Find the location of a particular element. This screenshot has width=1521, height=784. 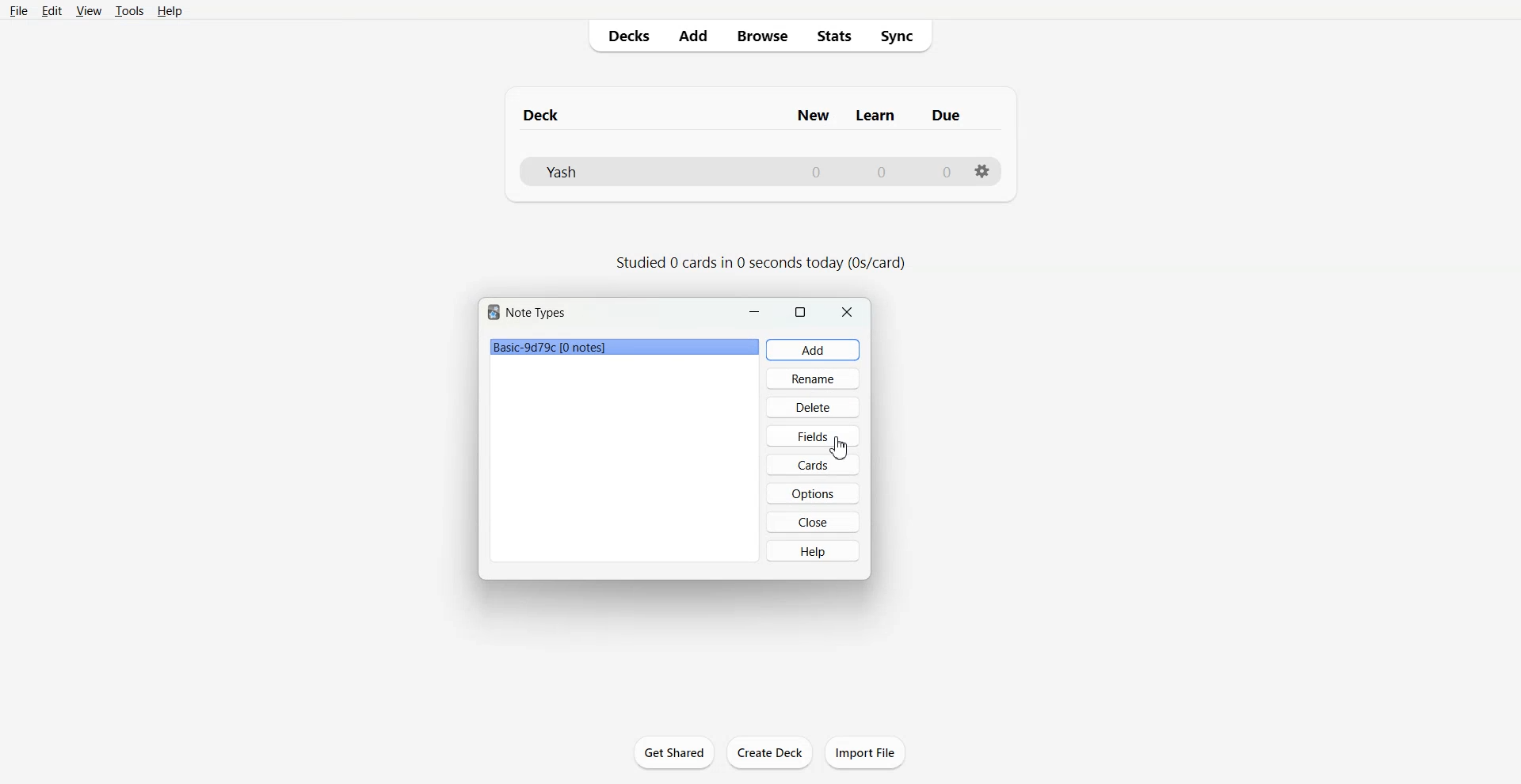

Number of due cards is located at coordinates (947, 172).